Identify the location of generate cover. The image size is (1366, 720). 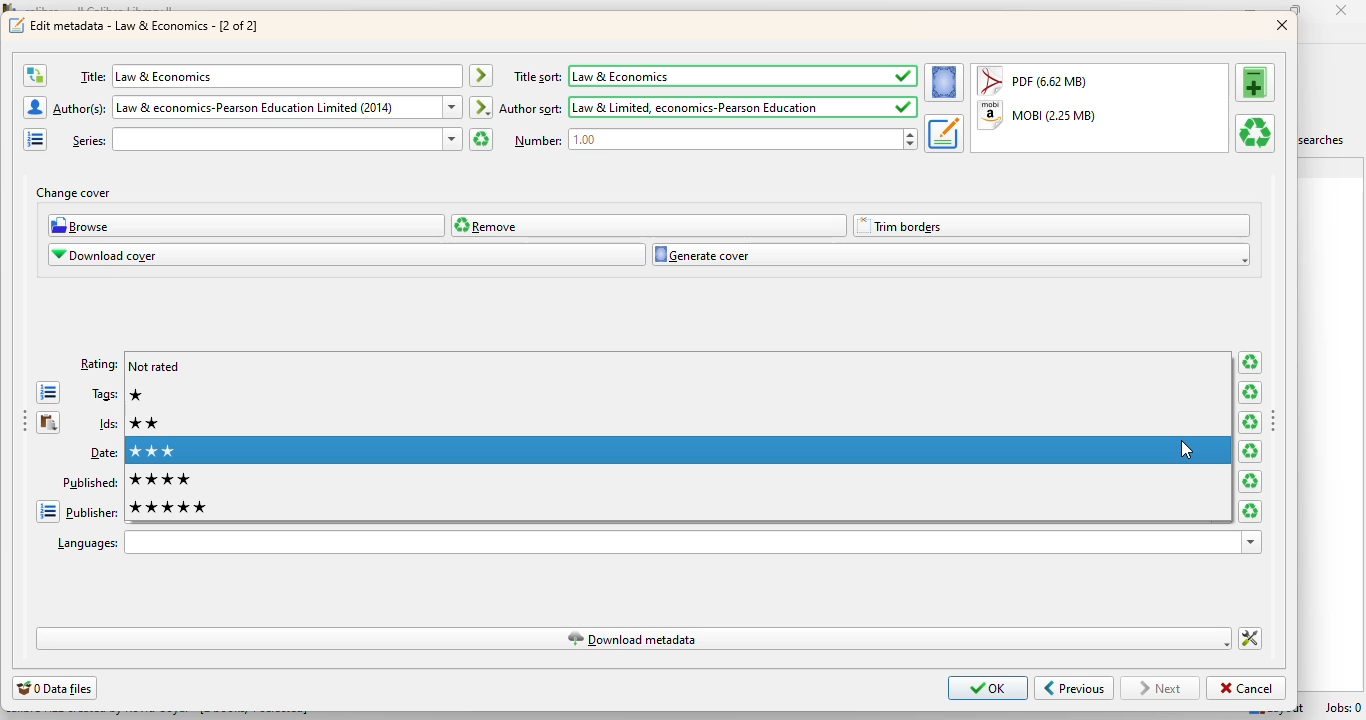
(951, 255).